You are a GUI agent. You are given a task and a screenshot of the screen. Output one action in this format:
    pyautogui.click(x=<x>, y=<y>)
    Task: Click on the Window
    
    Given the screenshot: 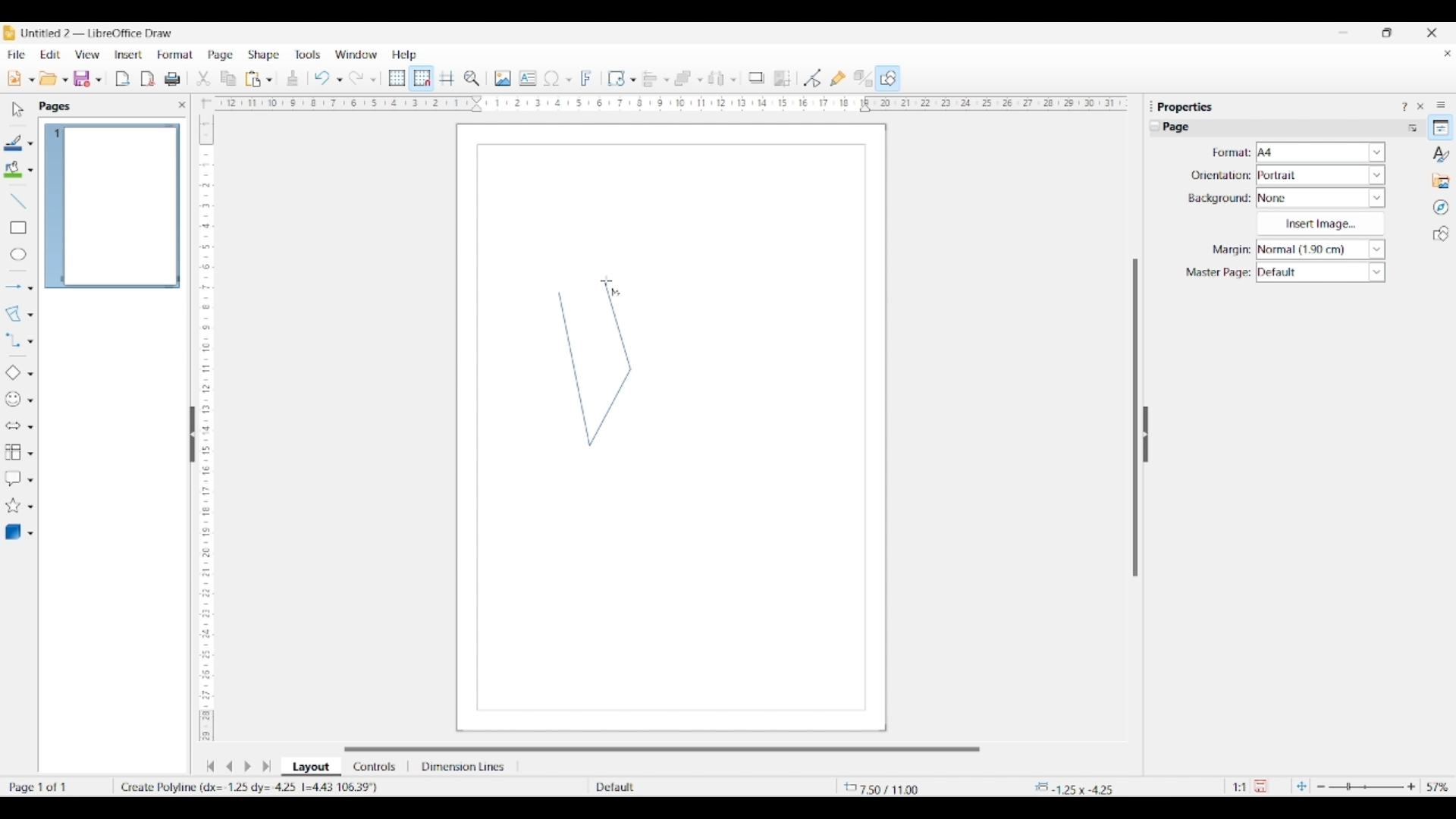 What is the action you would take?
    pyautogui.click(x=356, y=55)
    